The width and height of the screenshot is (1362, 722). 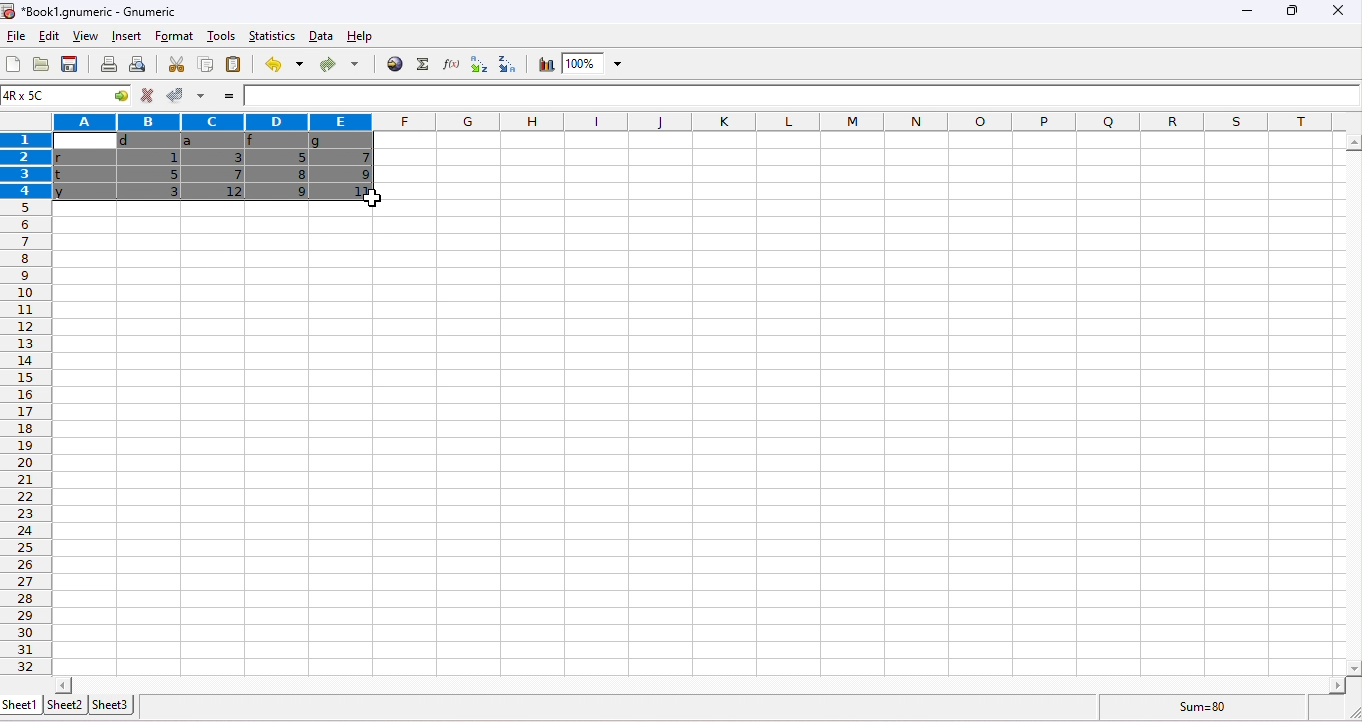 I want to click on rows, so click(x=26, y=164).